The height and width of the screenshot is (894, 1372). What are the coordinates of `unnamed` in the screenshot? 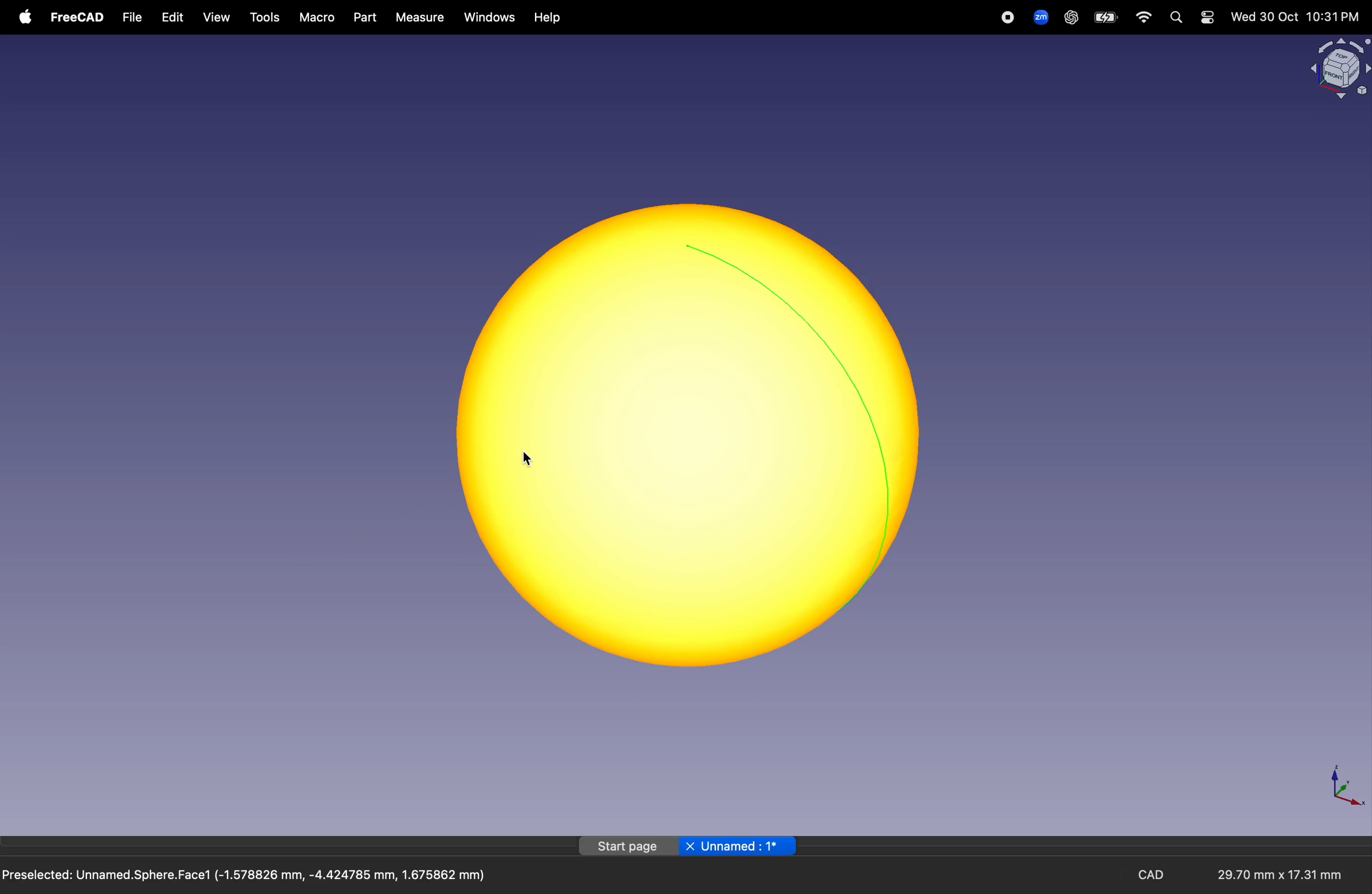 It's located at (740, 847).